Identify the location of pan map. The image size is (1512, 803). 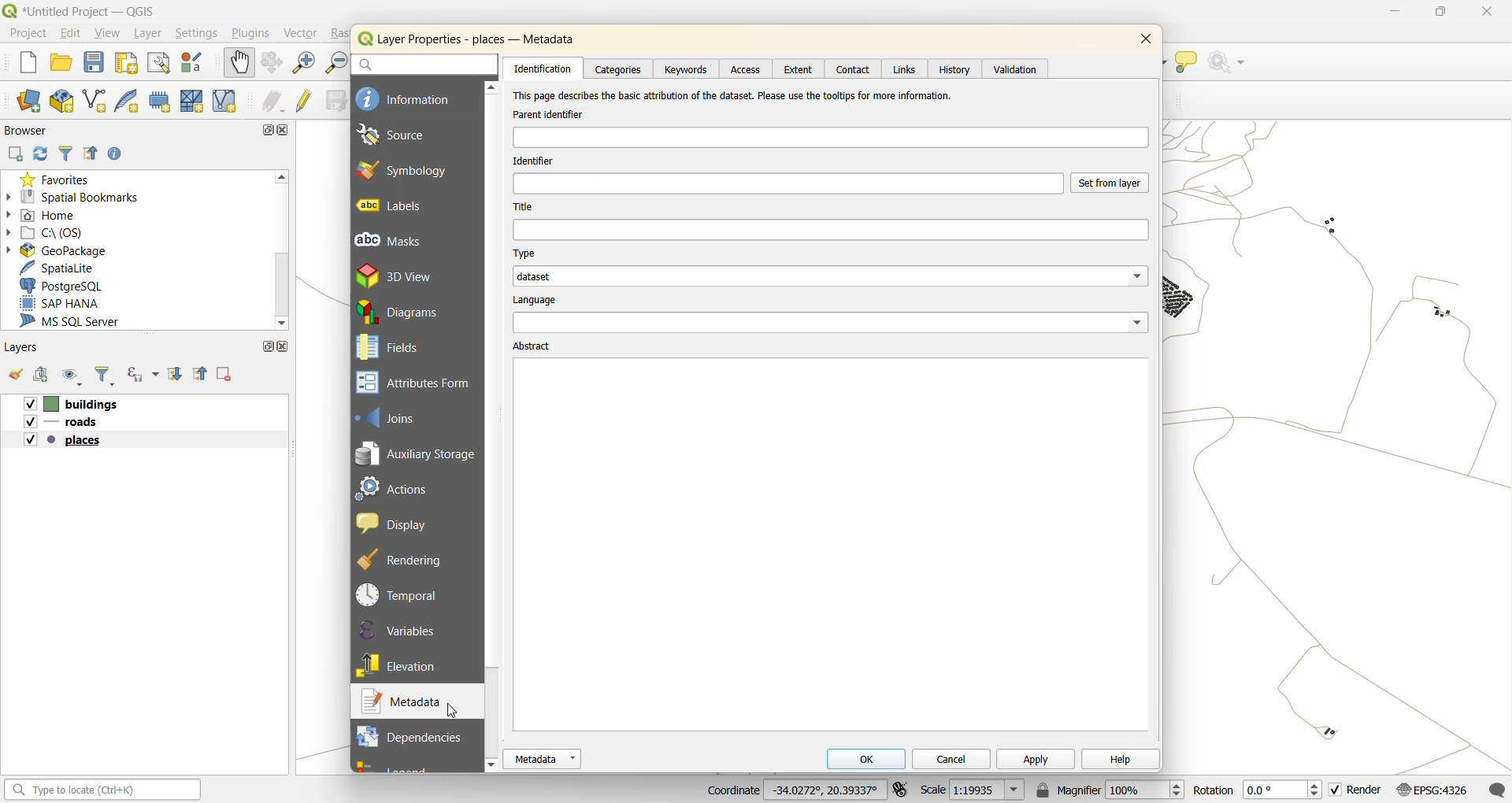
(242, 61).